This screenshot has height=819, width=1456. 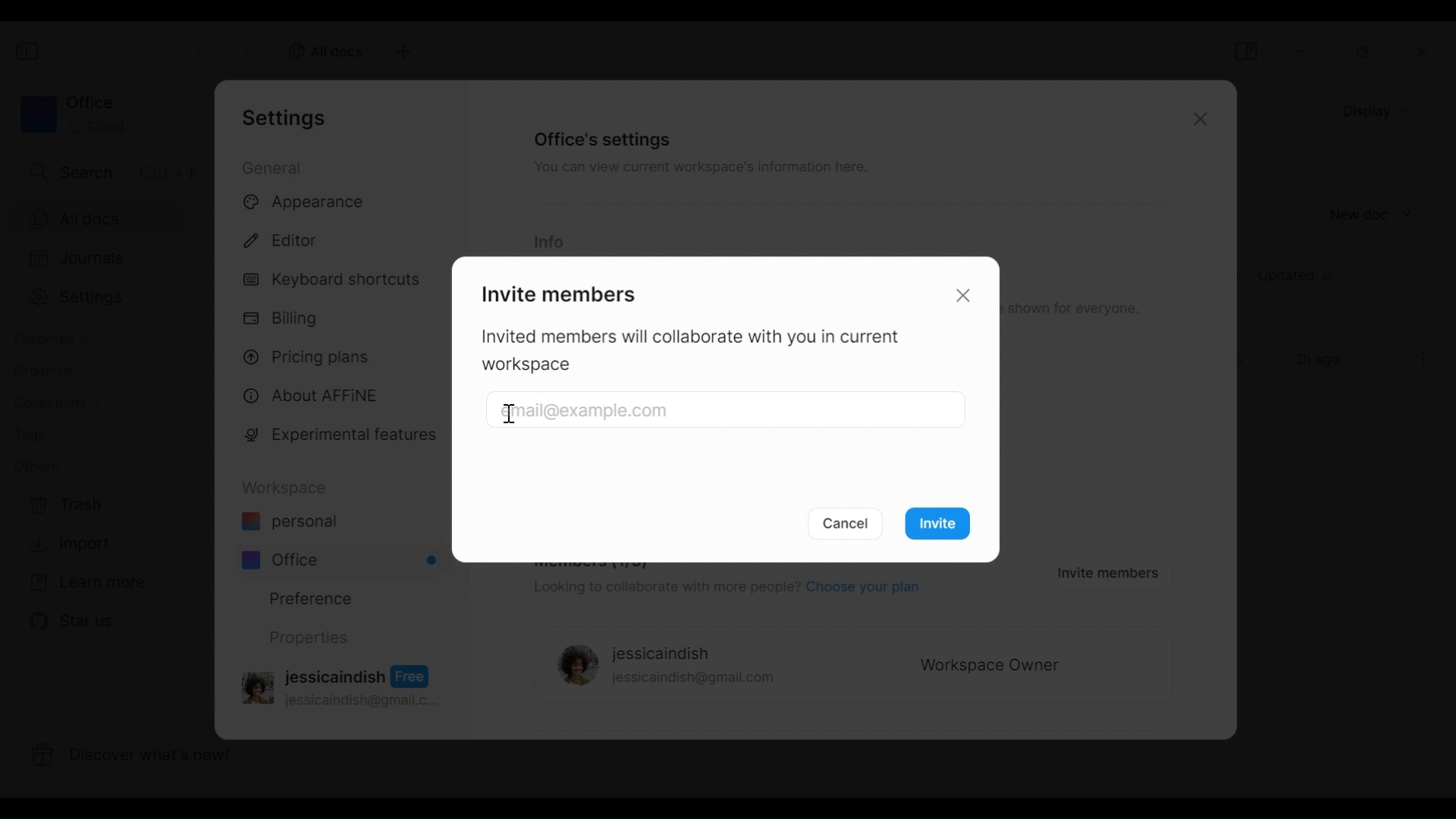 What do you see at coordinates (341, 560) in the screenshot?
I see `Office` at bounding box center [341, 560].